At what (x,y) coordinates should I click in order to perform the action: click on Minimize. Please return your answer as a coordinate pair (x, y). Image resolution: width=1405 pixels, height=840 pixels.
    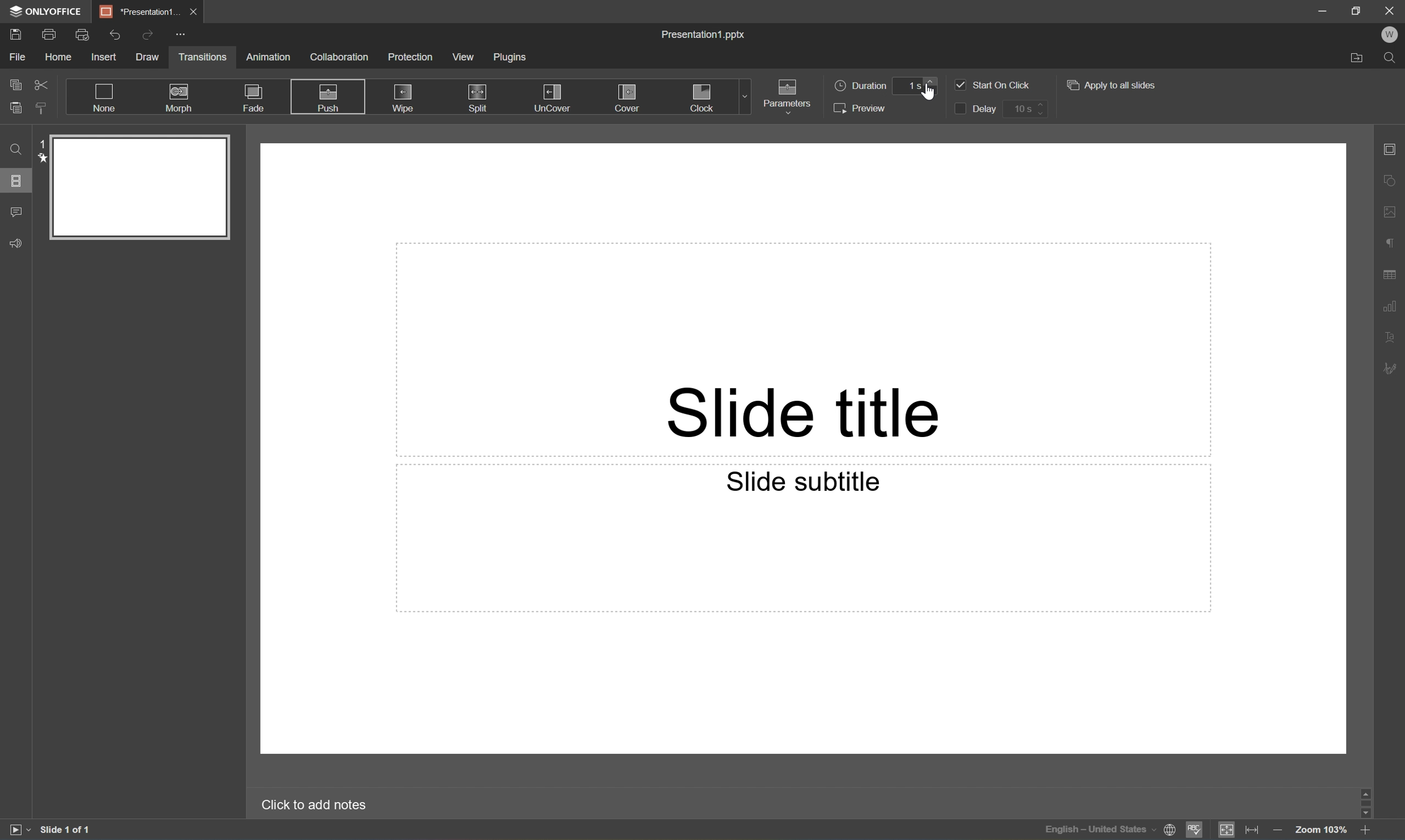
    Looking at the image, I should click on (1322, 9).